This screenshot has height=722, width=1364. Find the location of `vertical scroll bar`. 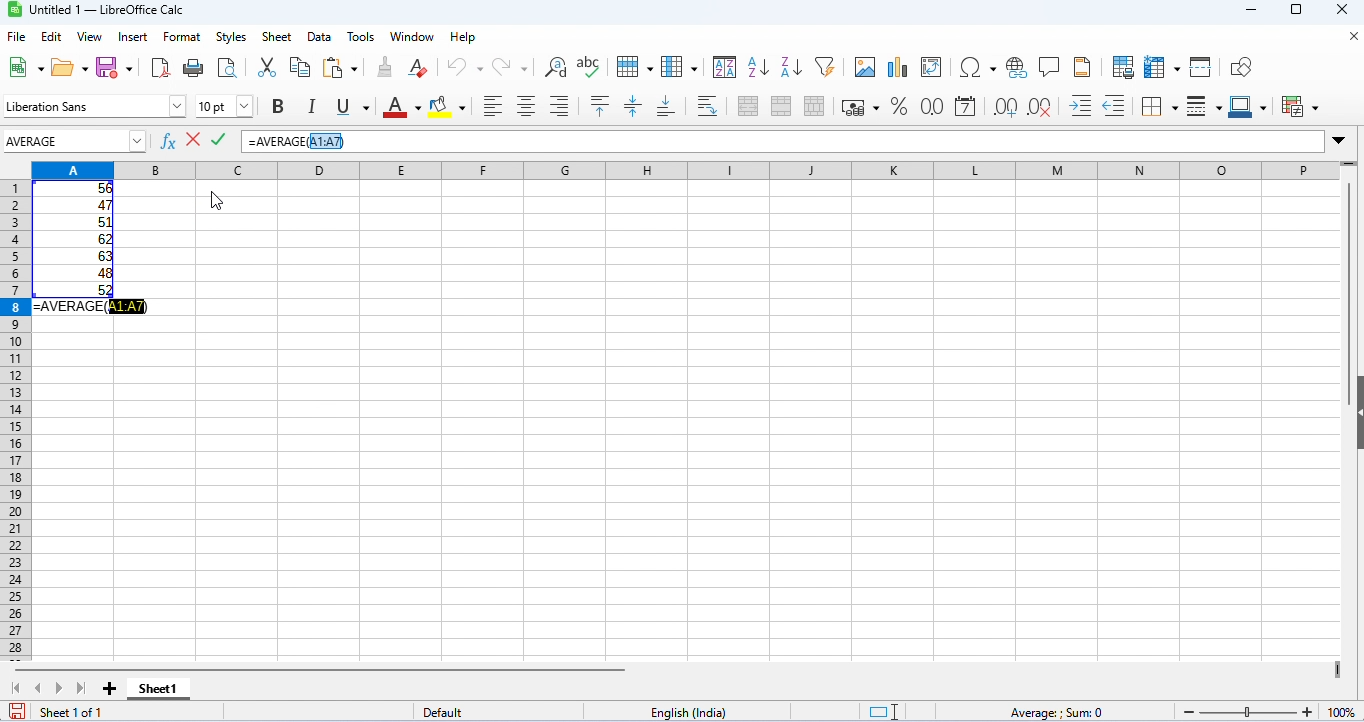

vertical scroll bar is located at coordinates (1349, 271).